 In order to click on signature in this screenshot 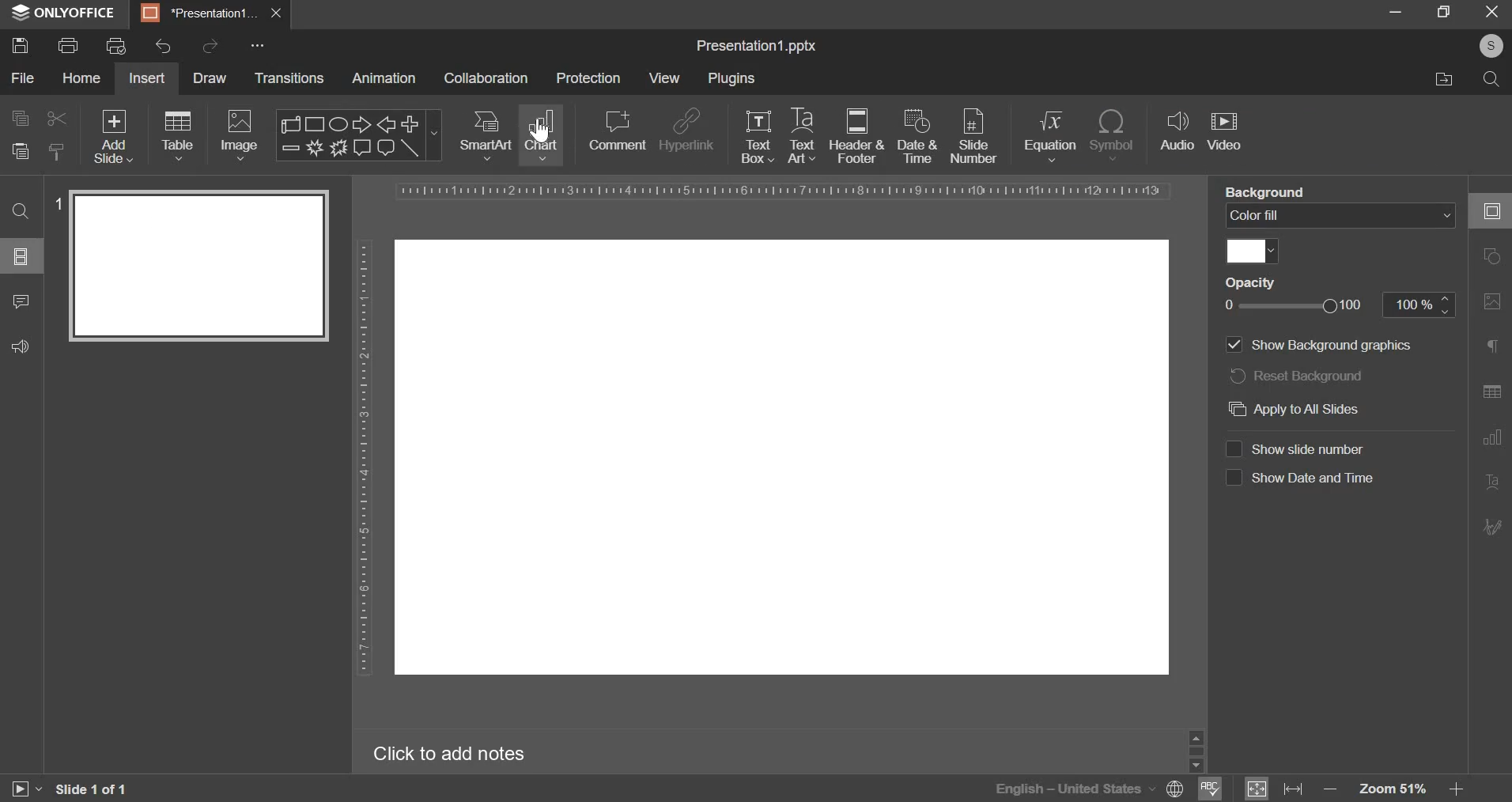, I will do `click(1492, 528)`.